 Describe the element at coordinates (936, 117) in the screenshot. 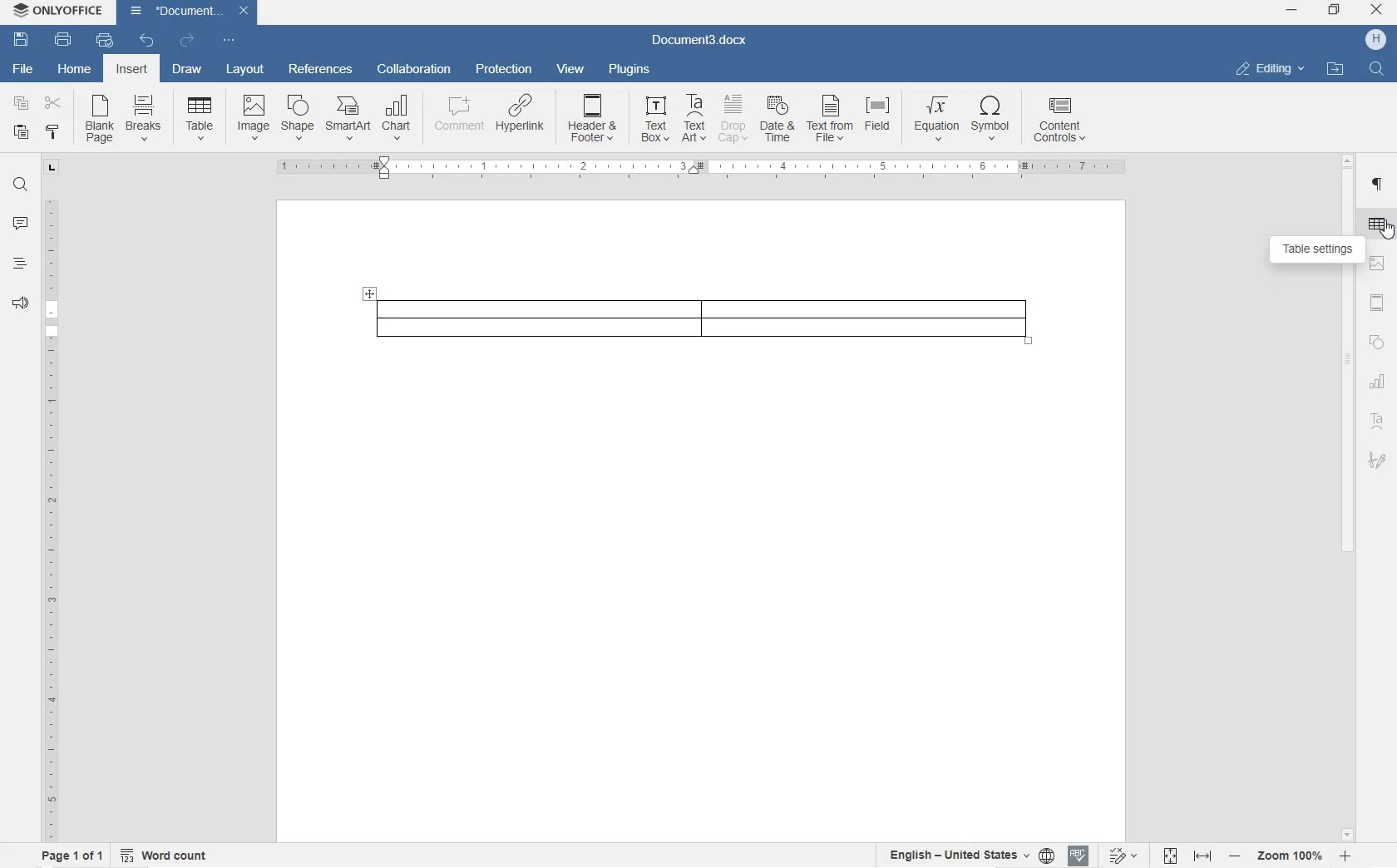

I see `Equation` at that location.